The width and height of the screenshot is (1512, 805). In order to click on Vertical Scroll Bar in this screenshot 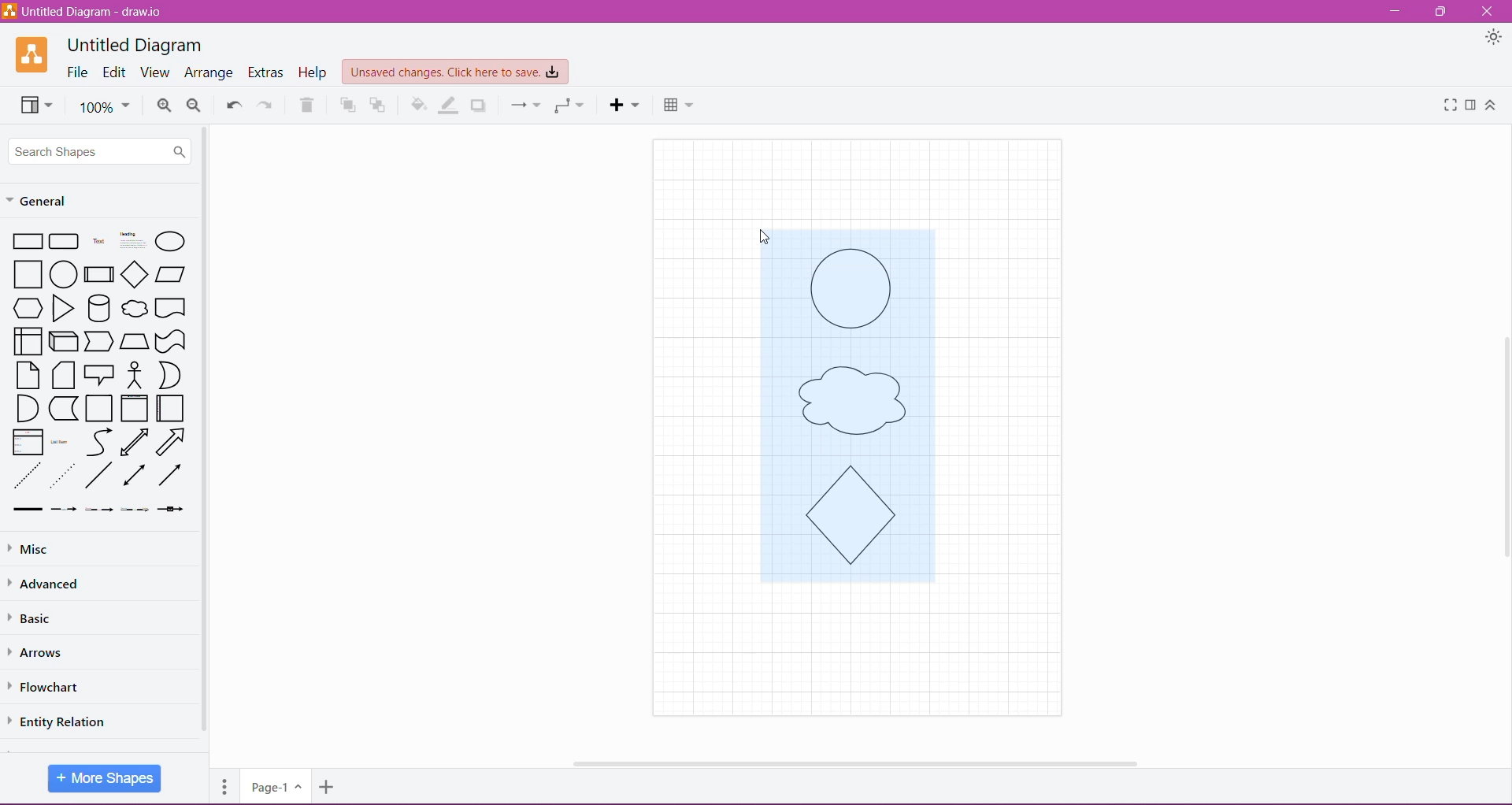, I will do `click(205, 431)`.